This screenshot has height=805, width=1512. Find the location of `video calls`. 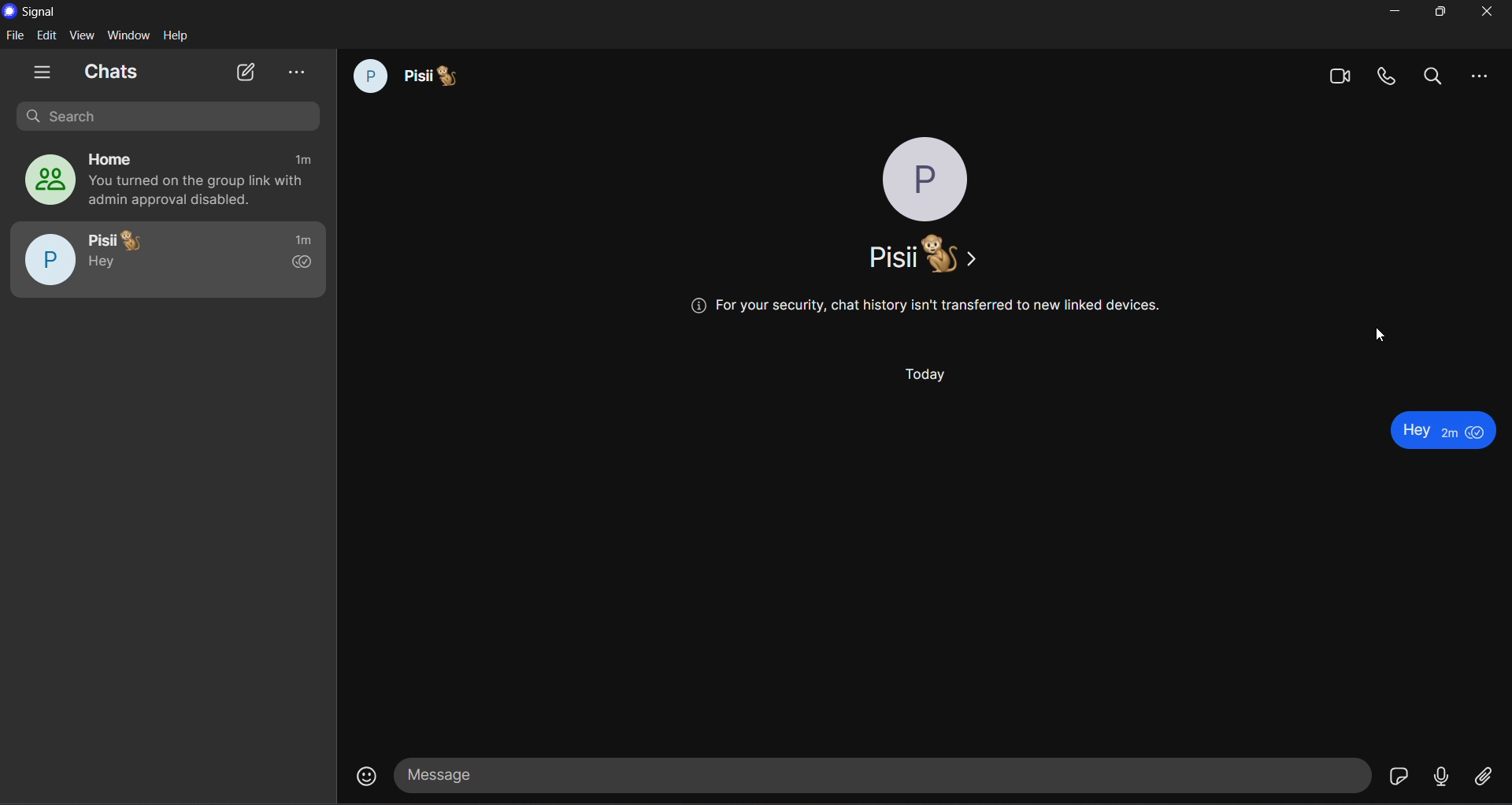

video calls is located at coordinates (1337, 78).